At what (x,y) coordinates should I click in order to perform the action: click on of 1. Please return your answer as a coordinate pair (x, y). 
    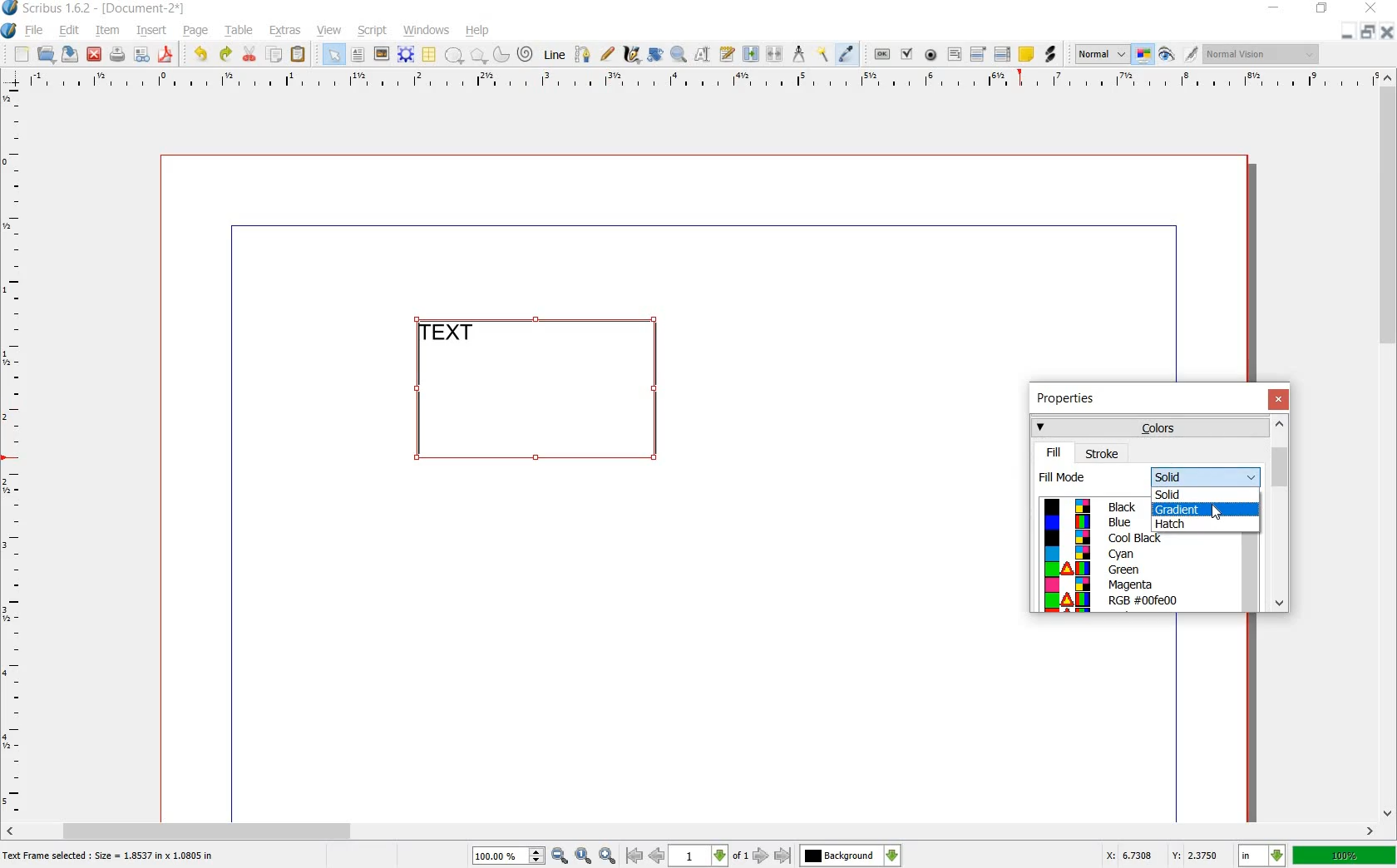
    Looking at the image, I should click on (739, 857).